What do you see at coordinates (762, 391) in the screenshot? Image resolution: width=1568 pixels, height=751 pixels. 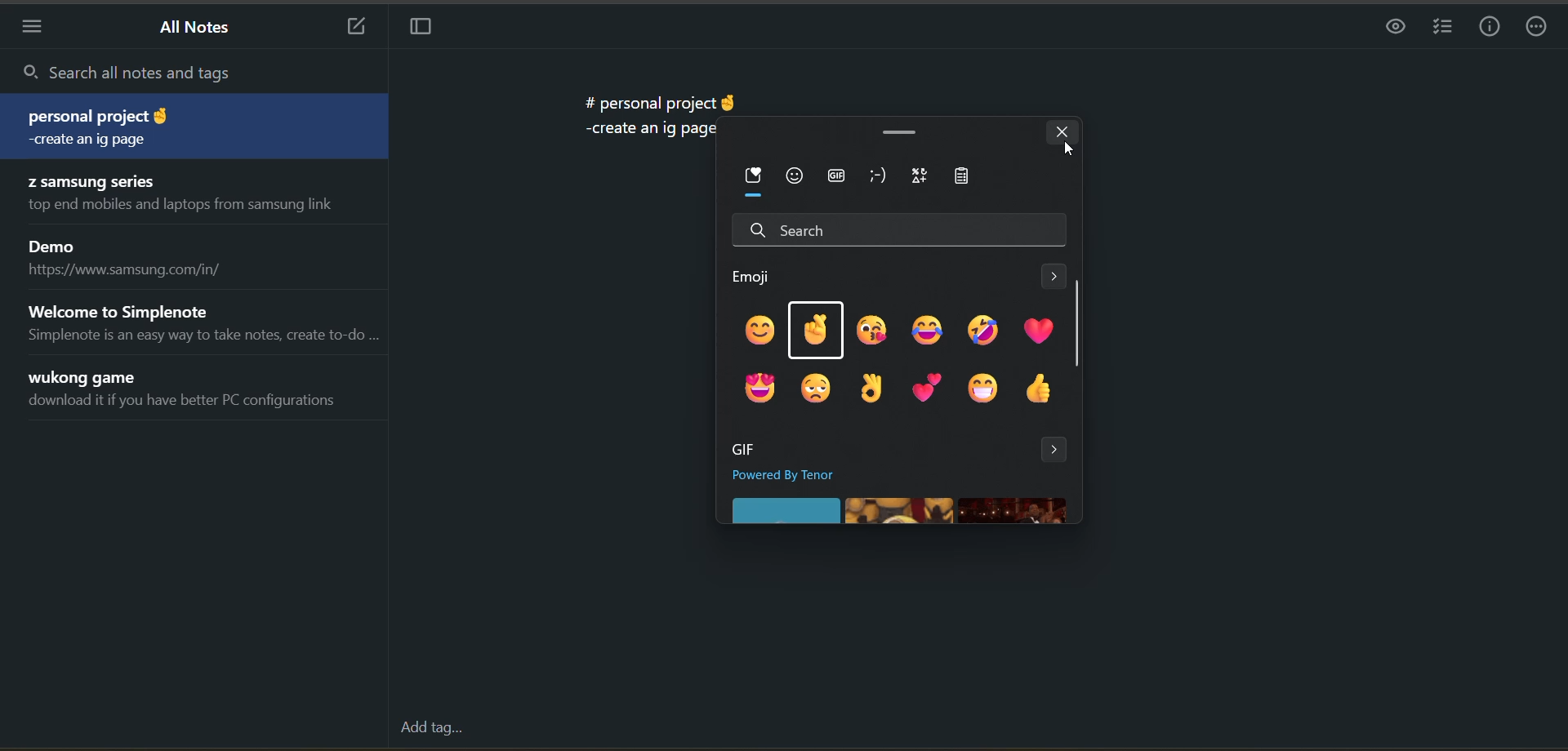 I see `emoji 7` at bounding box center [762, 391].